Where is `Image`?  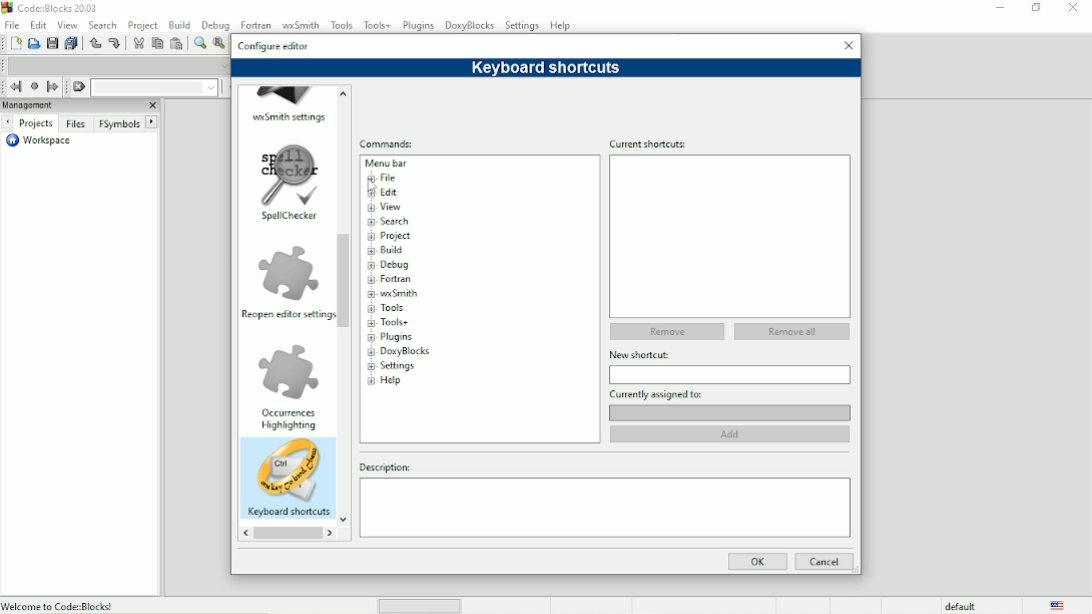 Image is located at coordinates (289, 471).